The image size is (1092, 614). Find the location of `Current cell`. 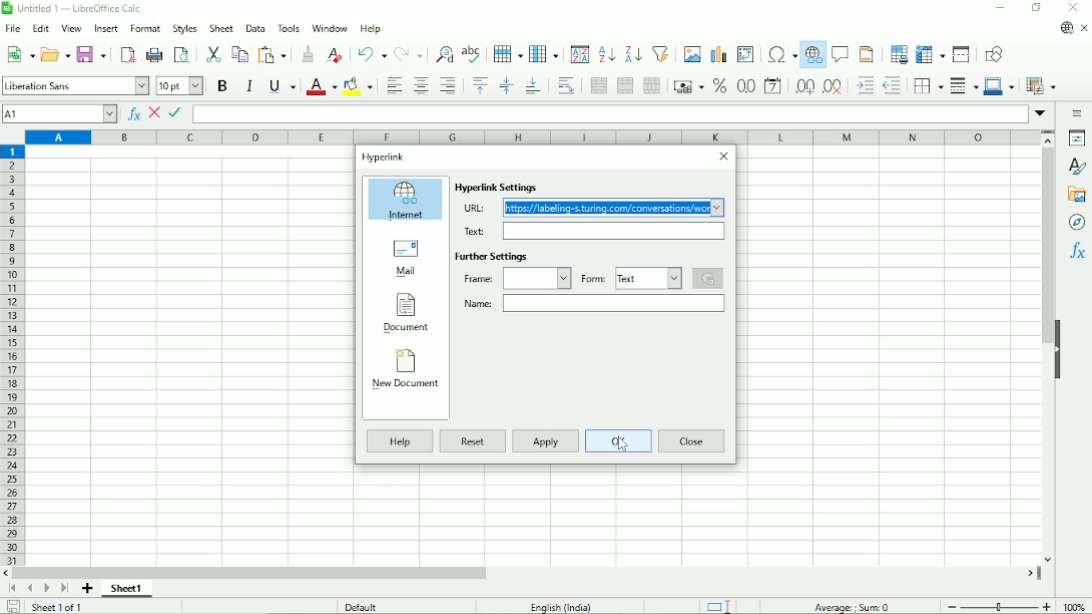

Current cell is located at coordinates (60, 114).